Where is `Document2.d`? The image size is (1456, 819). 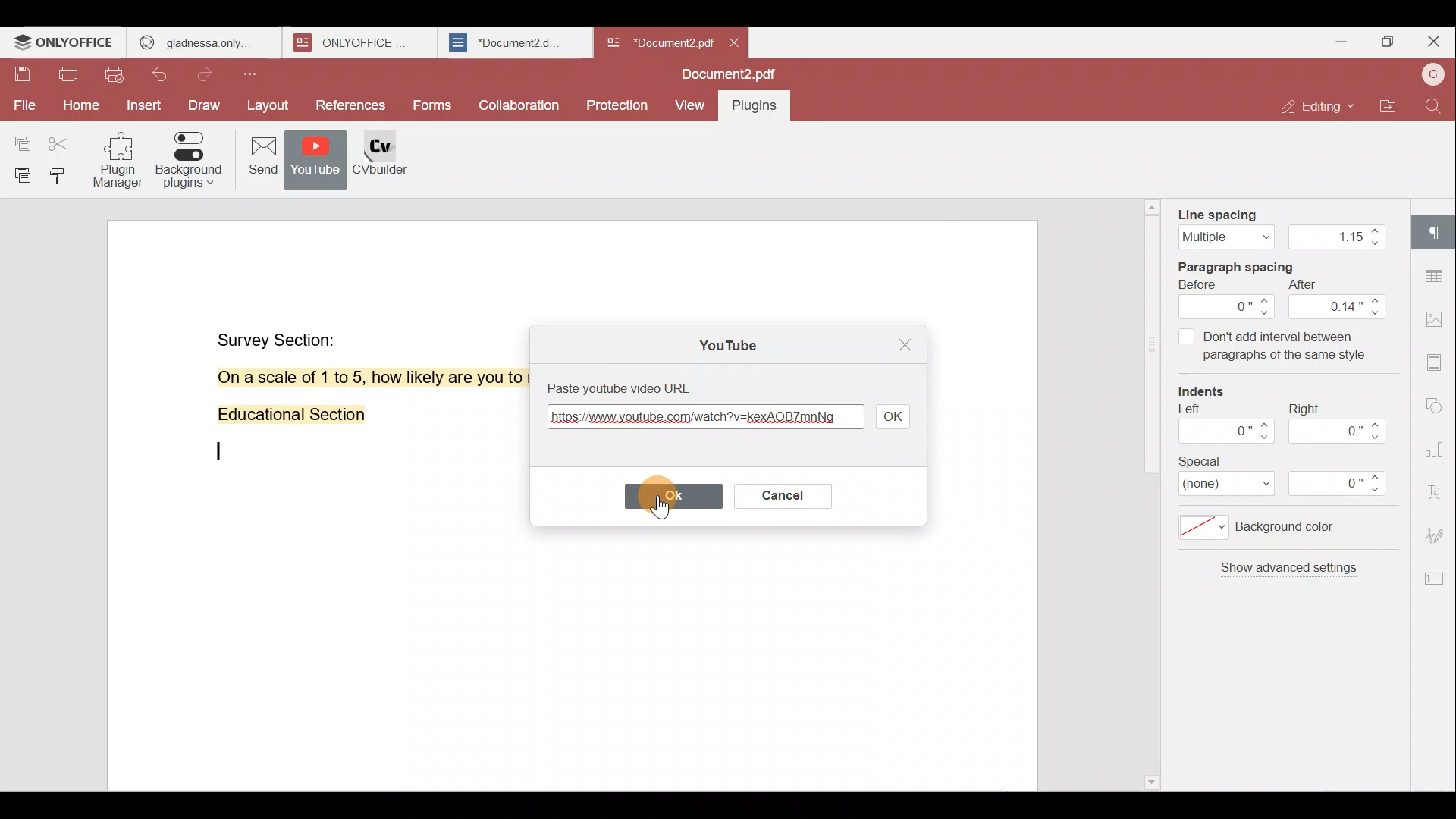
Document2.d is located at coordinates (514, 43).